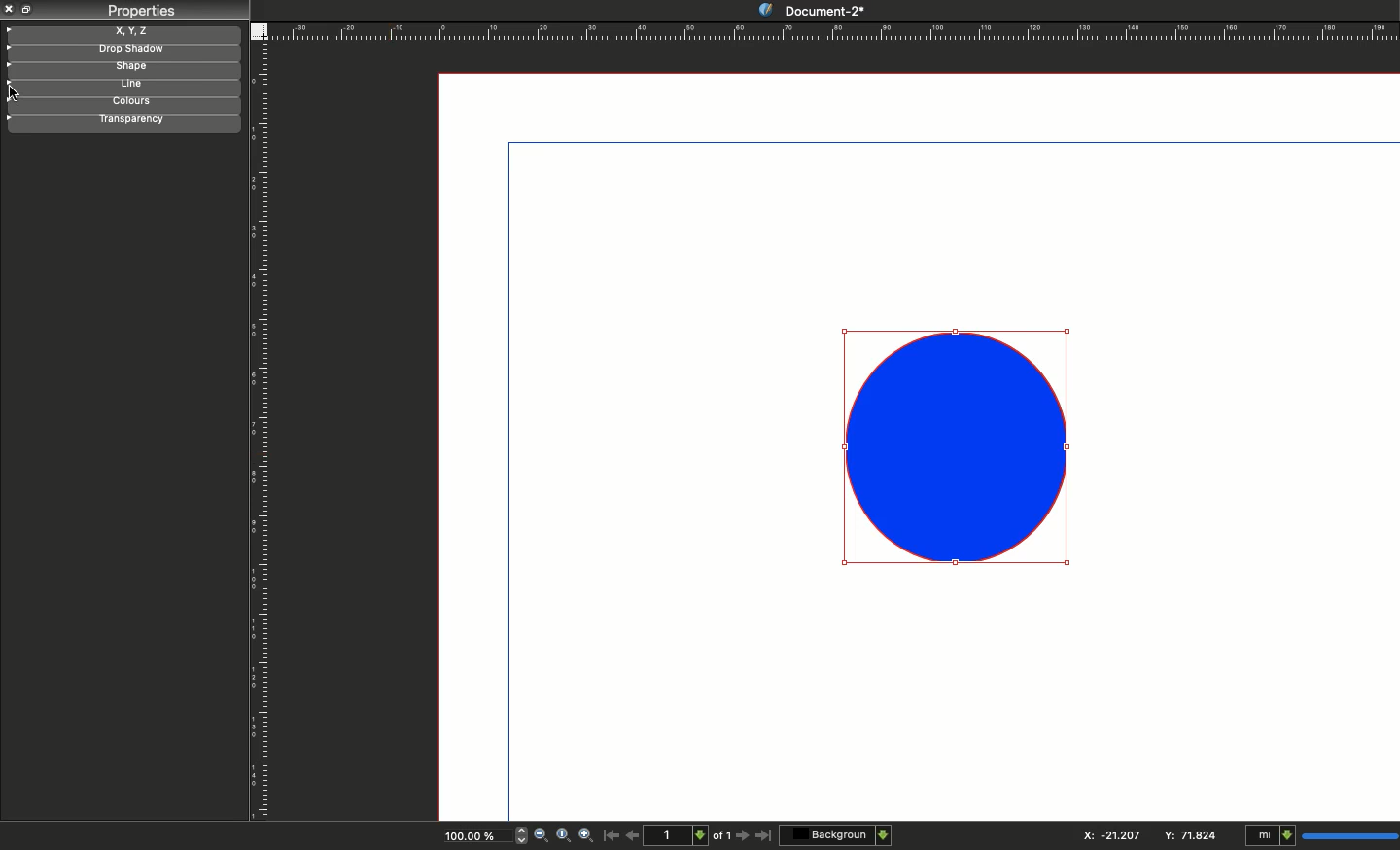 This screenshot has height=850, width=1400. Describe the element at coordinates (679, 834) in the screenshot. I see `1` at that location.